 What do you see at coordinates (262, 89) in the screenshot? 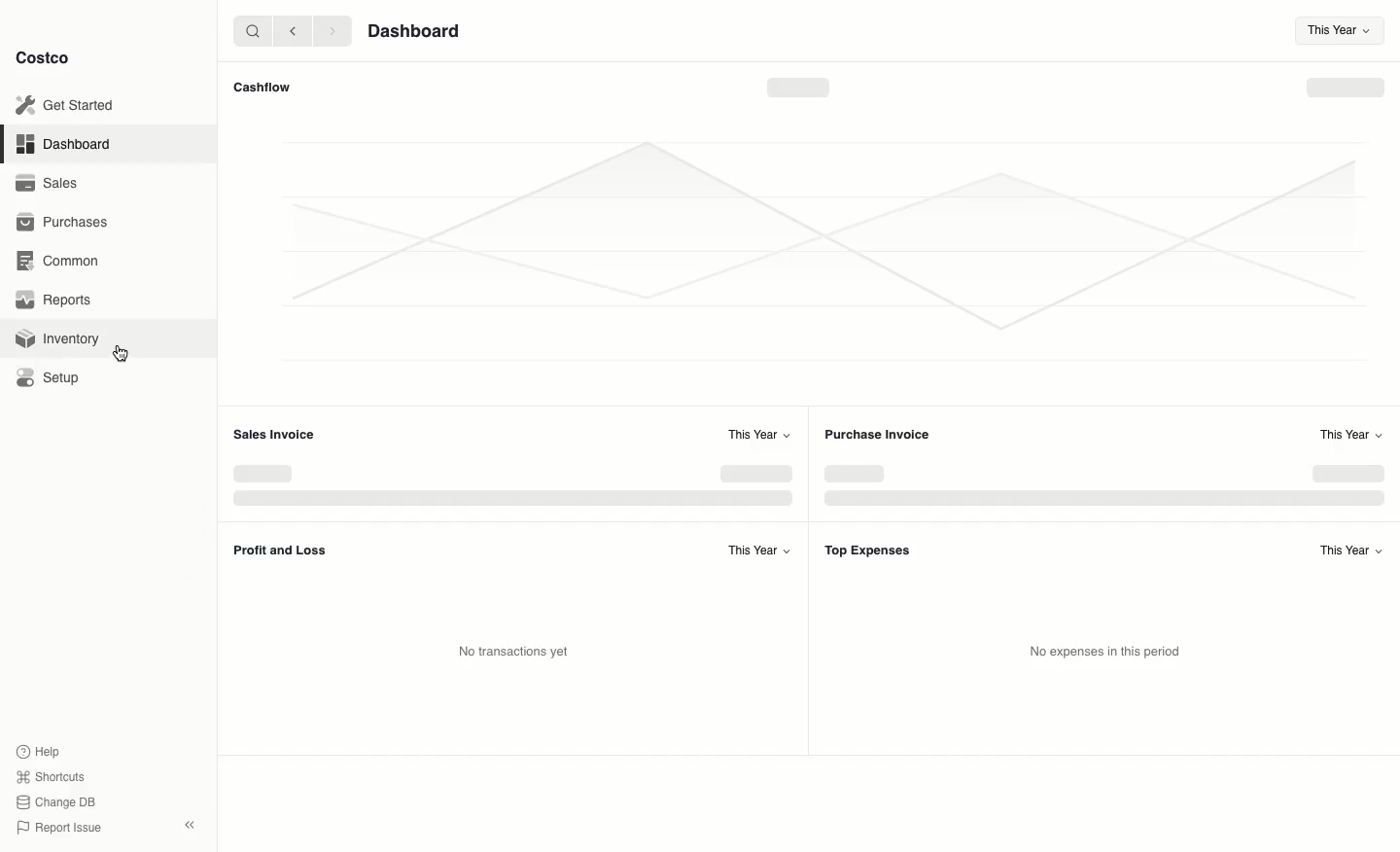
I see `Cashflow` at bounding box center [262, 89].